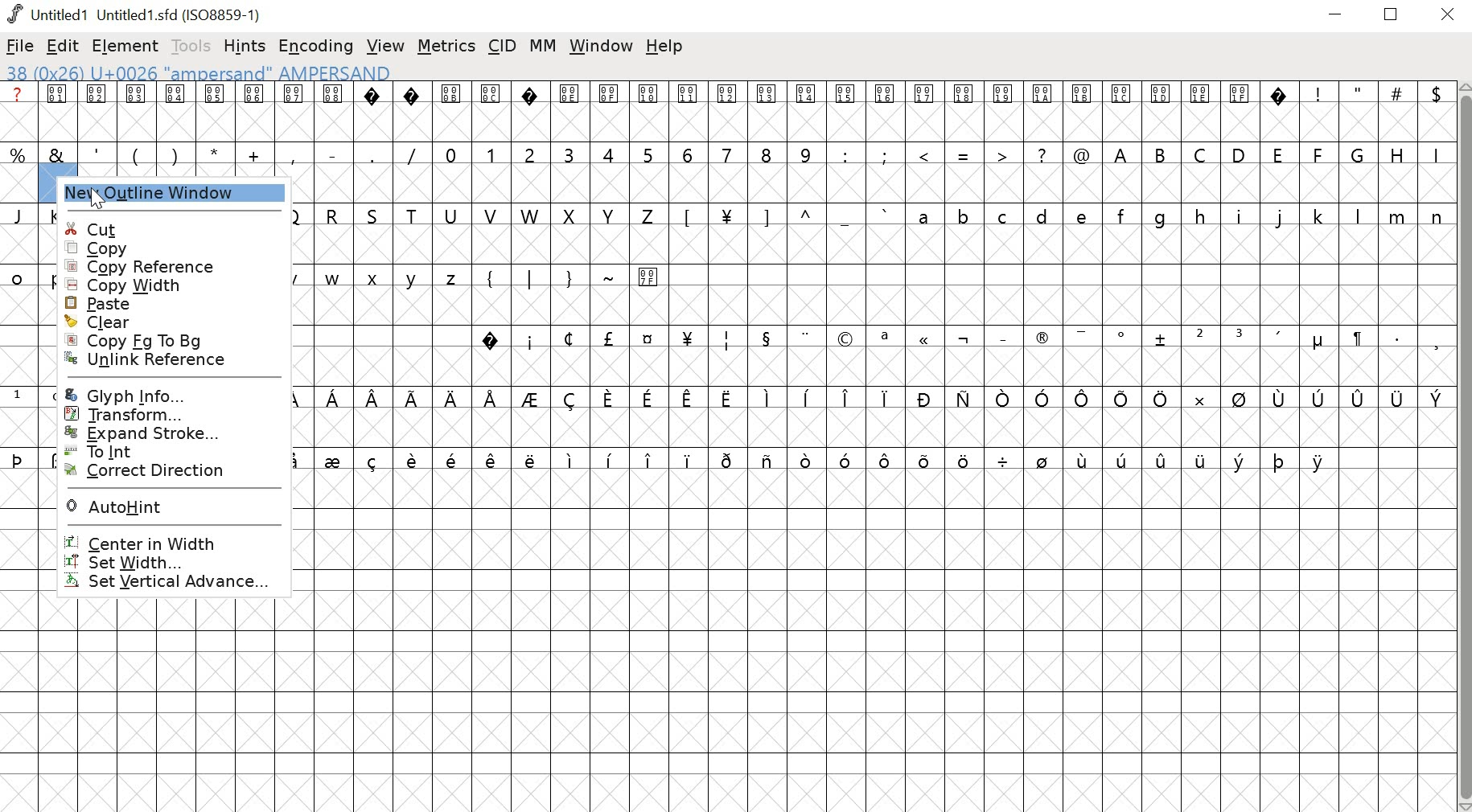 The image size is (1472, 812). What do you see at coordinates (446, 47) in the screenshot?
I see `metrics` at bounding box center [446, 47].